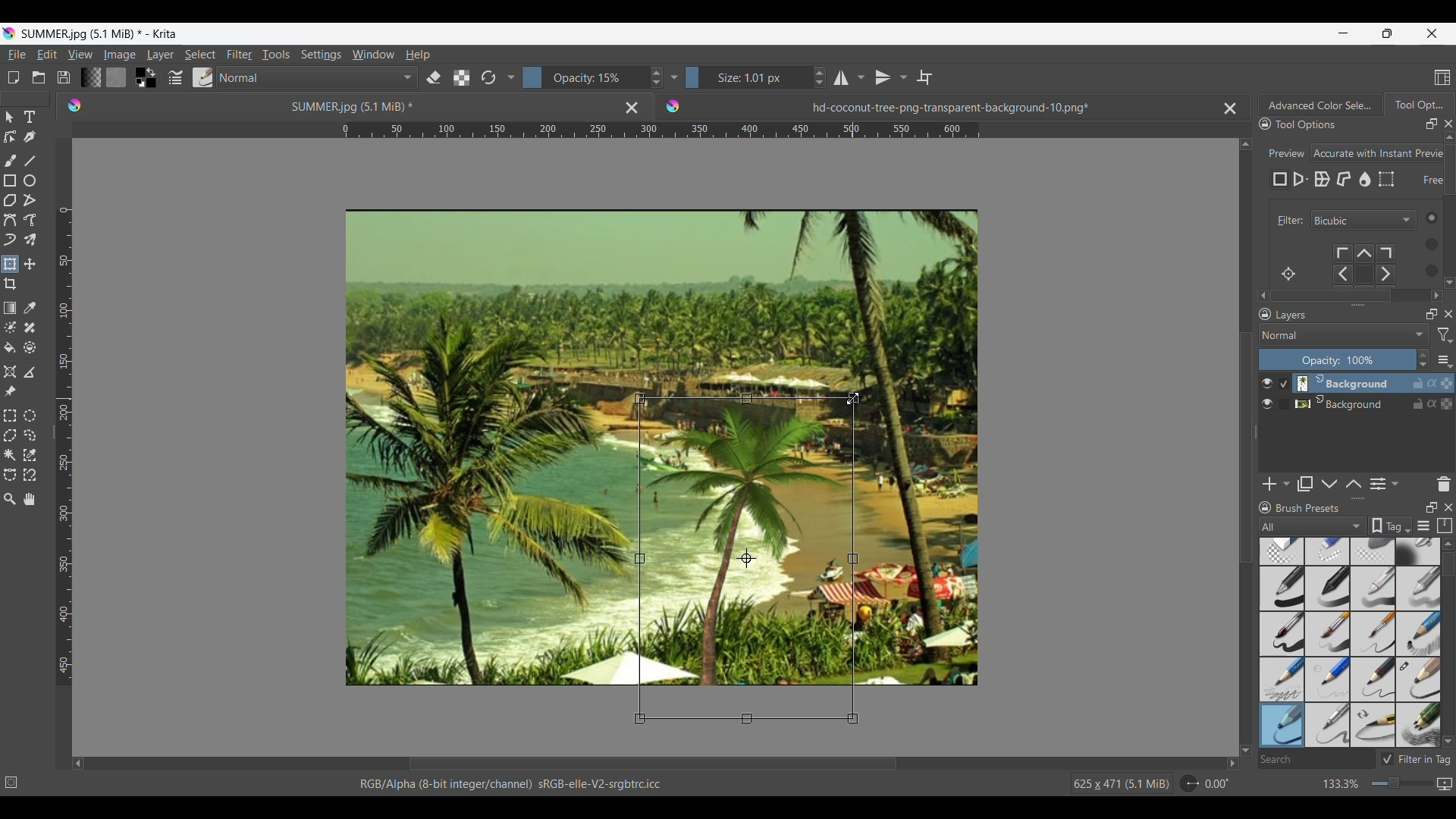 This screenshot has width=1456, height=819. Describe the element at coordinates (29, 240) in the screenshot. I see `Multibrush tool` at that location.